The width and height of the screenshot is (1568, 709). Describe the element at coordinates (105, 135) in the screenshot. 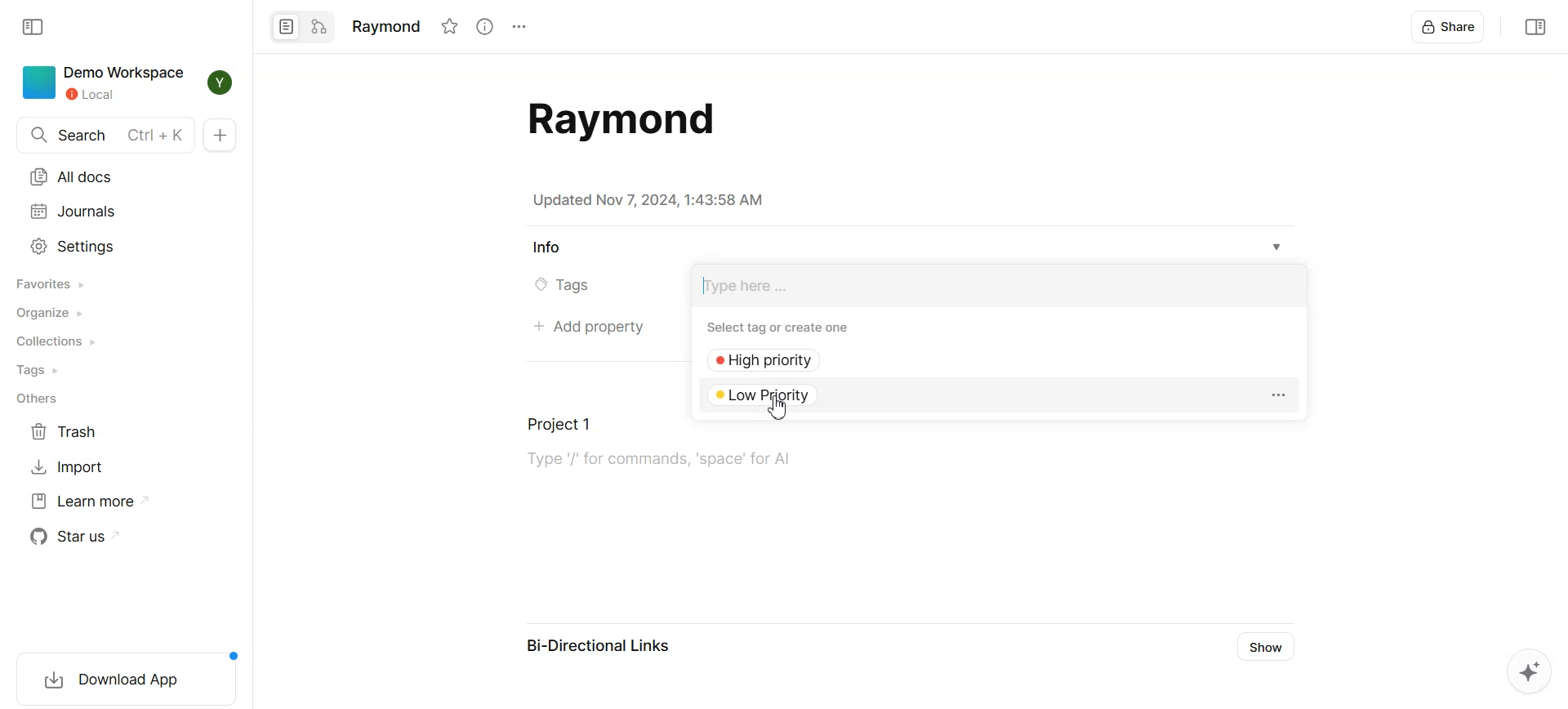

I see `Search doc` at that location.